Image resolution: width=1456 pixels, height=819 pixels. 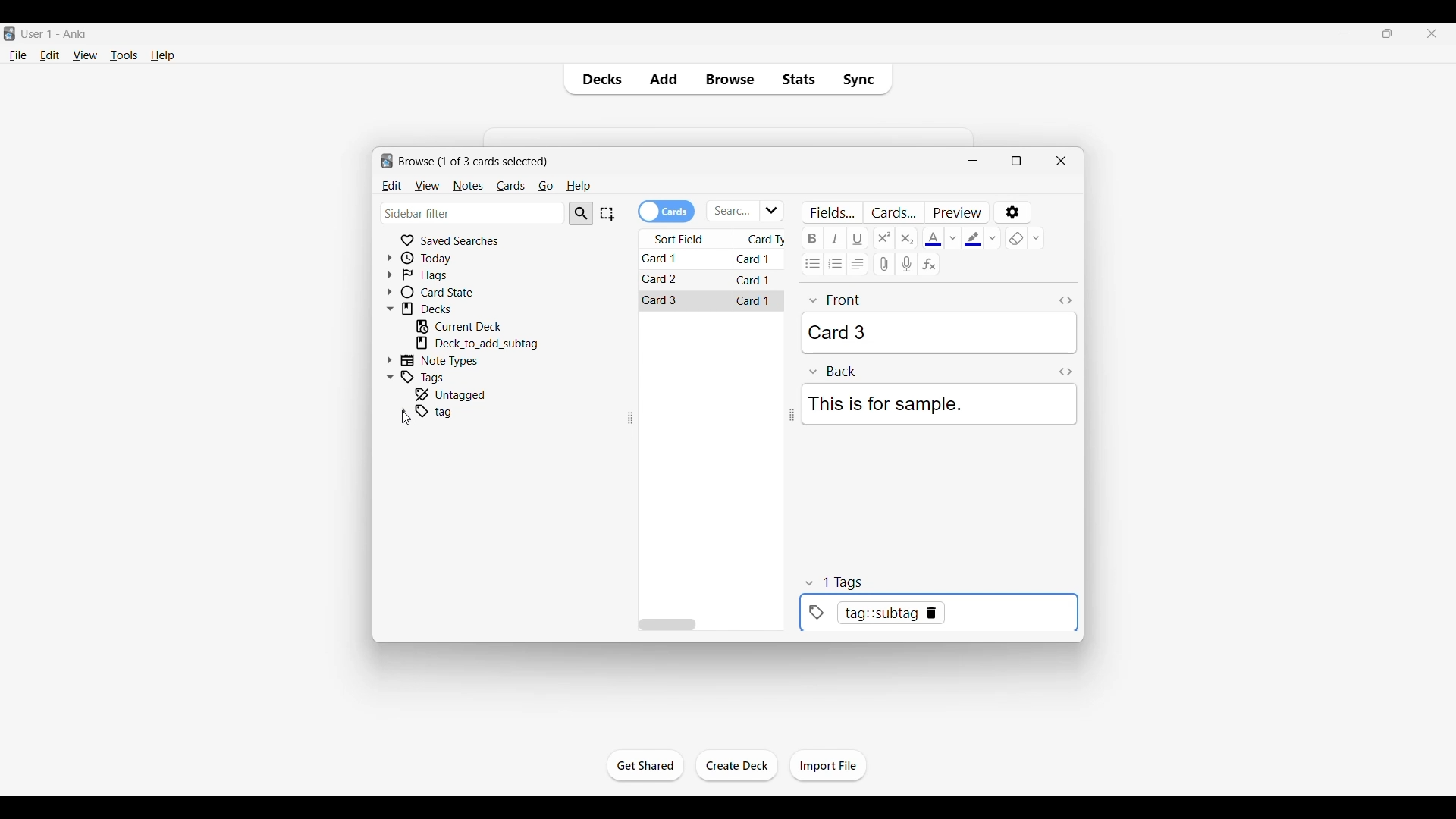 What do you see at coordinates (929, 263) in the screenshot?
I see `Equations` at bounding box center [929, 263].